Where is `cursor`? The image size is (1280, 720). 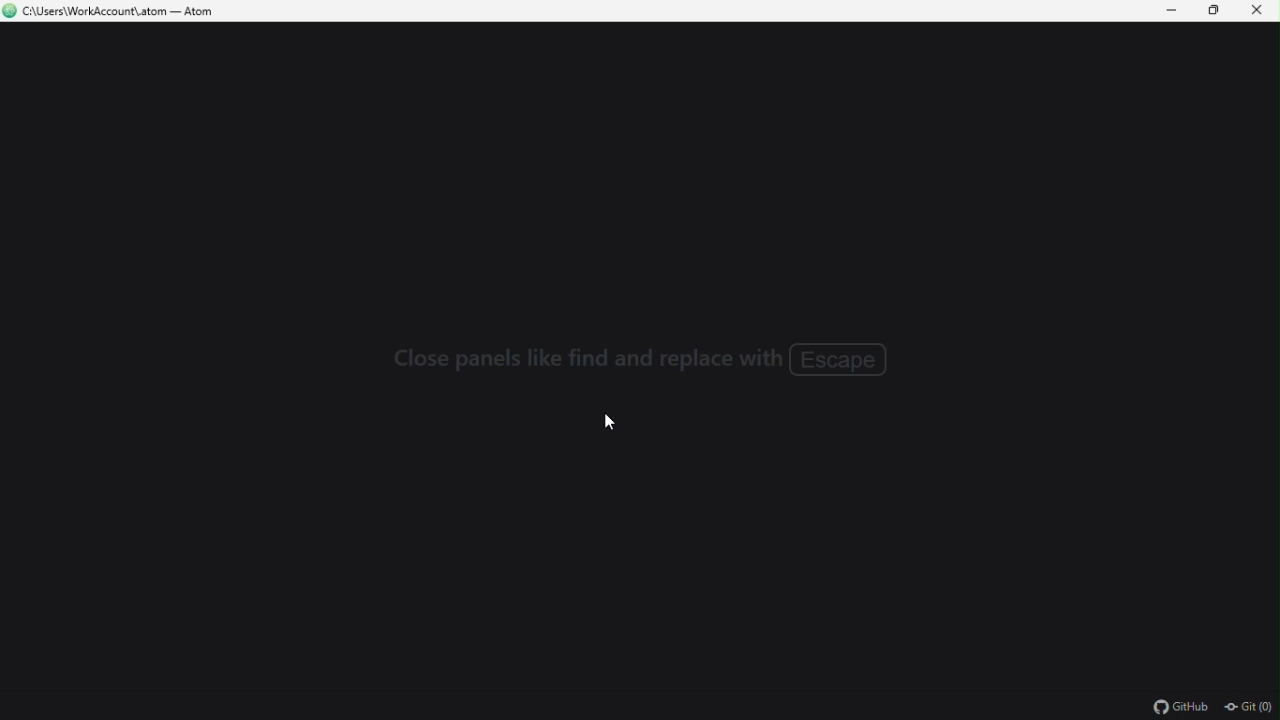 cursor is located at coordinates (612, 423).